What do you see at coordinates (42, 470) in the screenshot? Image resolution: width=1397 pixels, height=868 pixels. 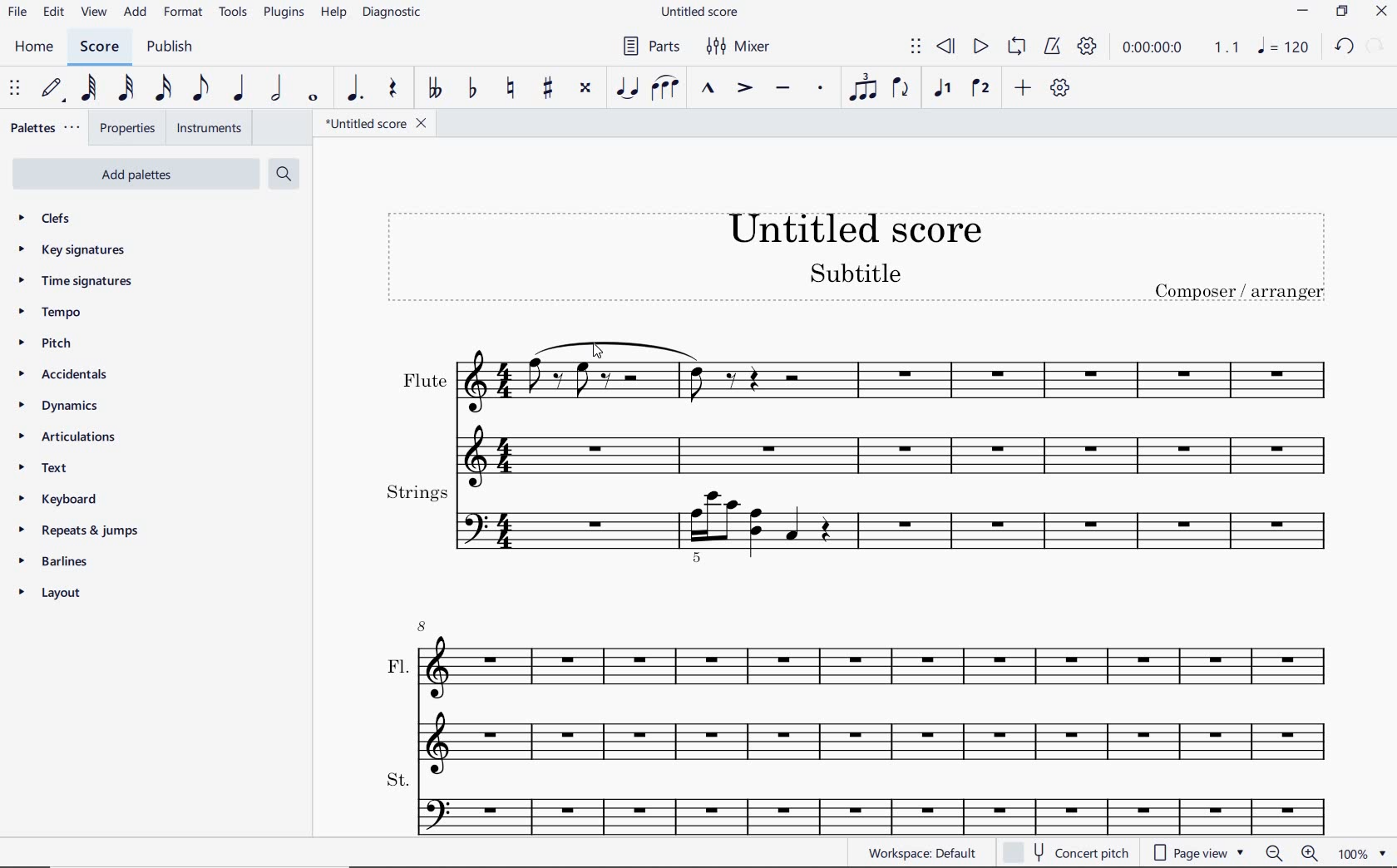 I see `text` at bounding box center [42, 470].